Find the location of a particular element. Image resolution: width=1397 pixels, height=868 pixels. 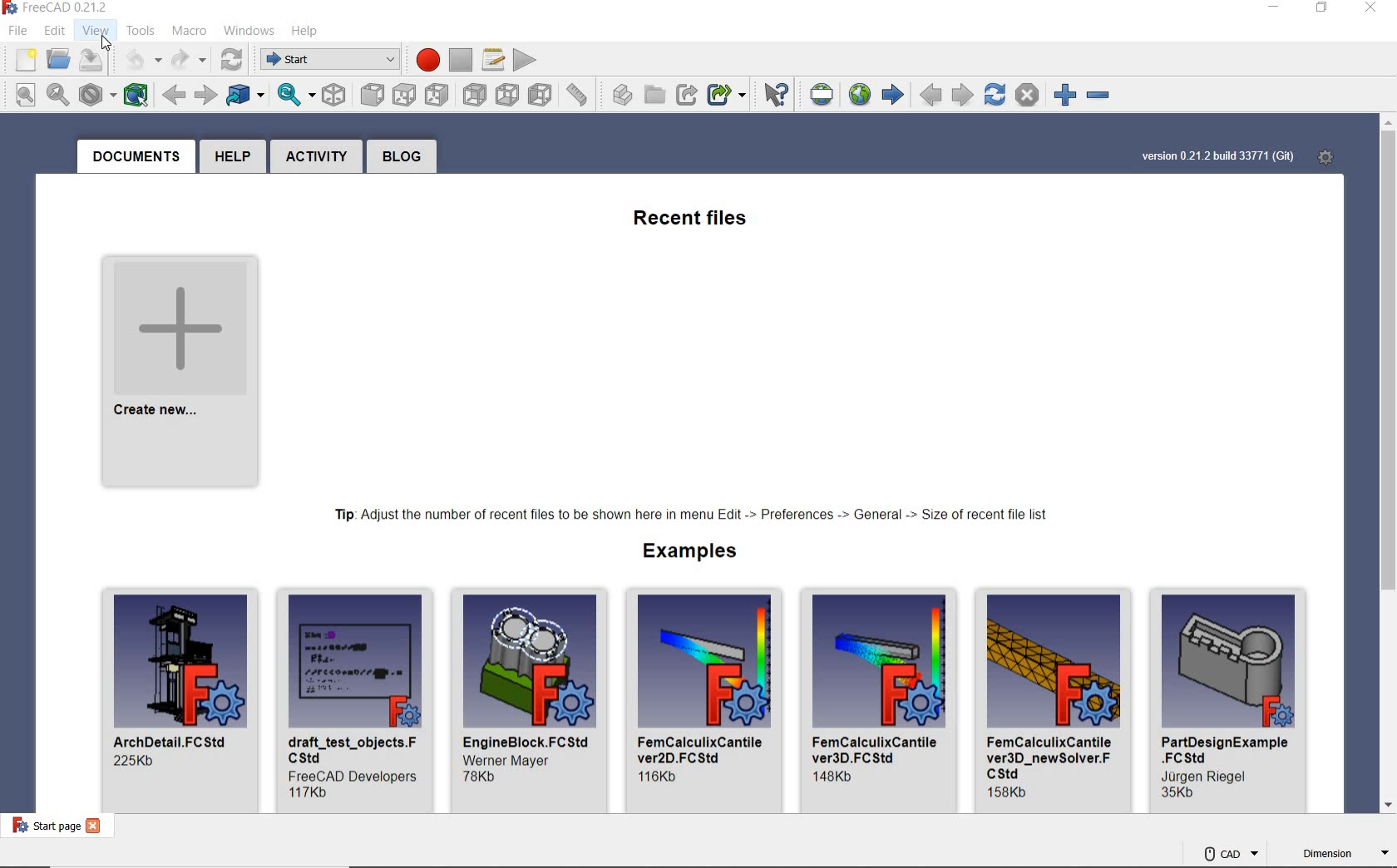

help is located at coordinates (237, 156).